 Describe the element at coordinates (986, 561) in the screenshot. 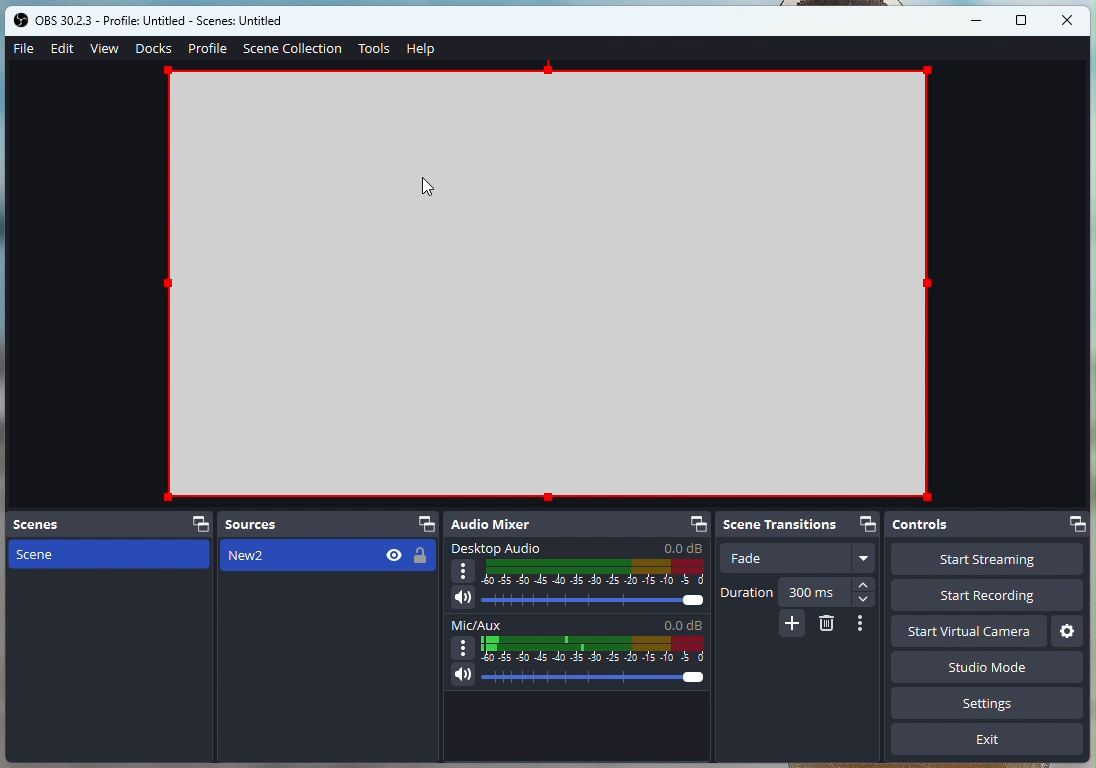

I see `Start Streaming` at that location.